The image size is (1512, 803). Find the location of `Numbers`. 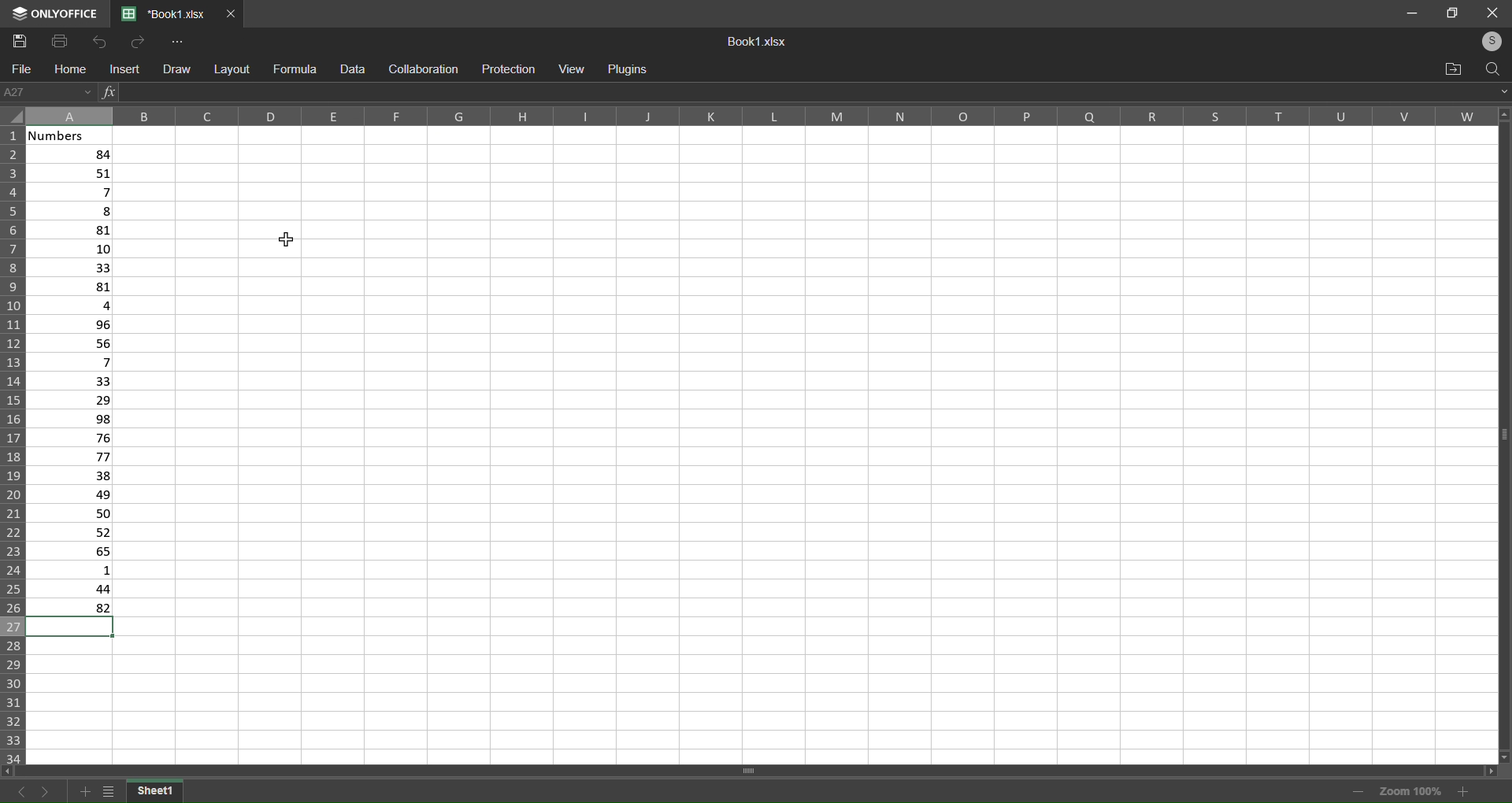

Numbers is located at coordinates (74, 137).